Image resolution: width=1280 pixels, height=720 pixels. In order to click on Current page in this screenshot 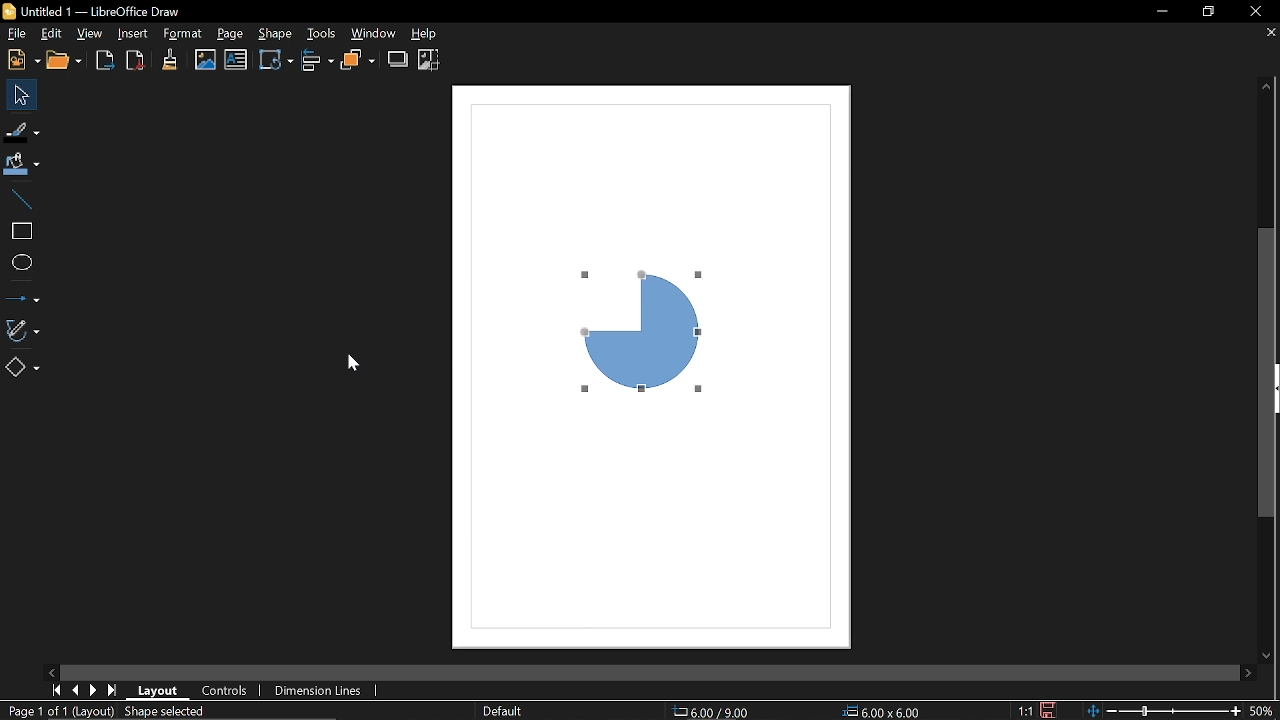, I will do `click(58, 710)`.